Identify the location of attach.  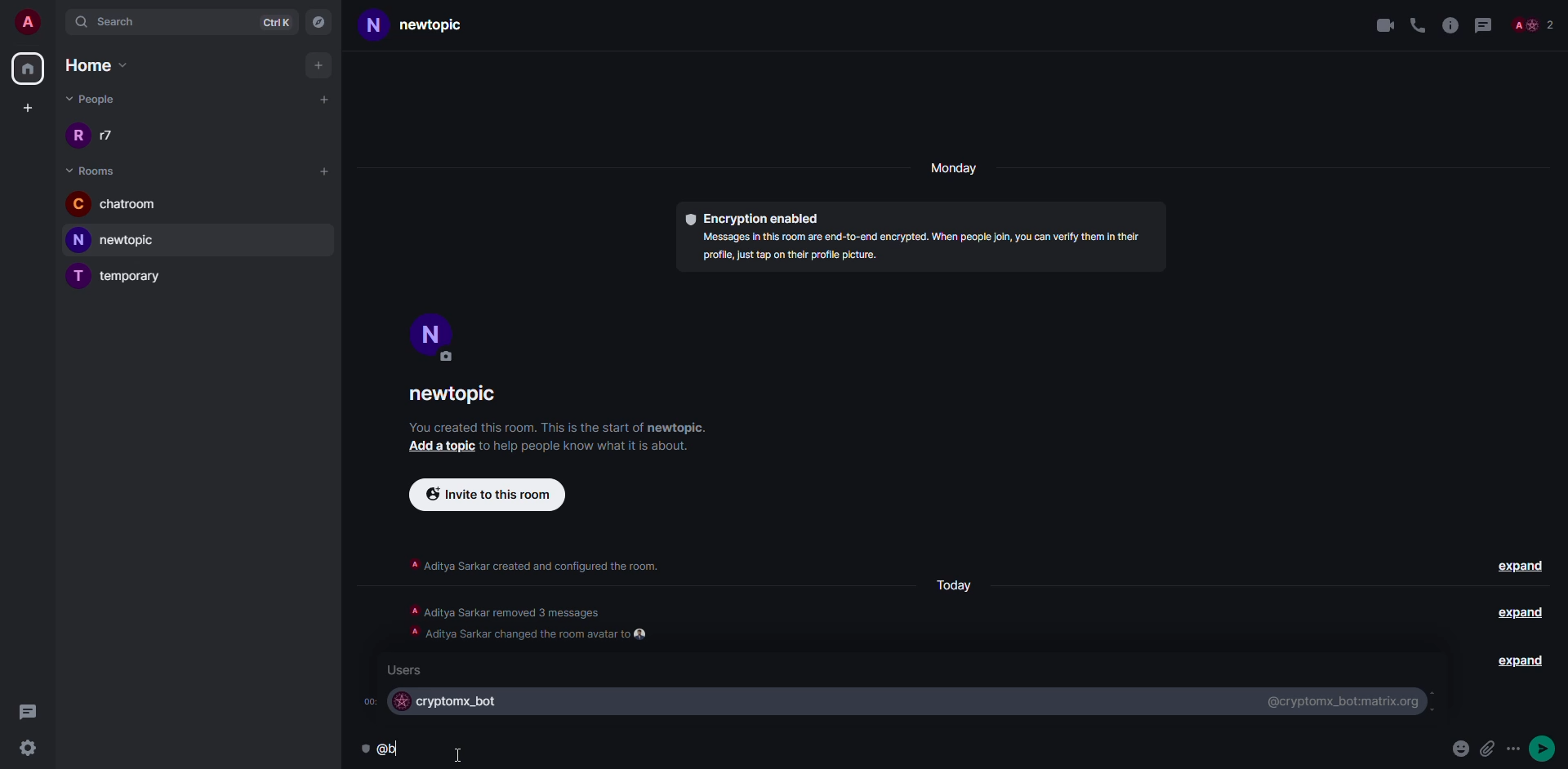
(1486, 747).